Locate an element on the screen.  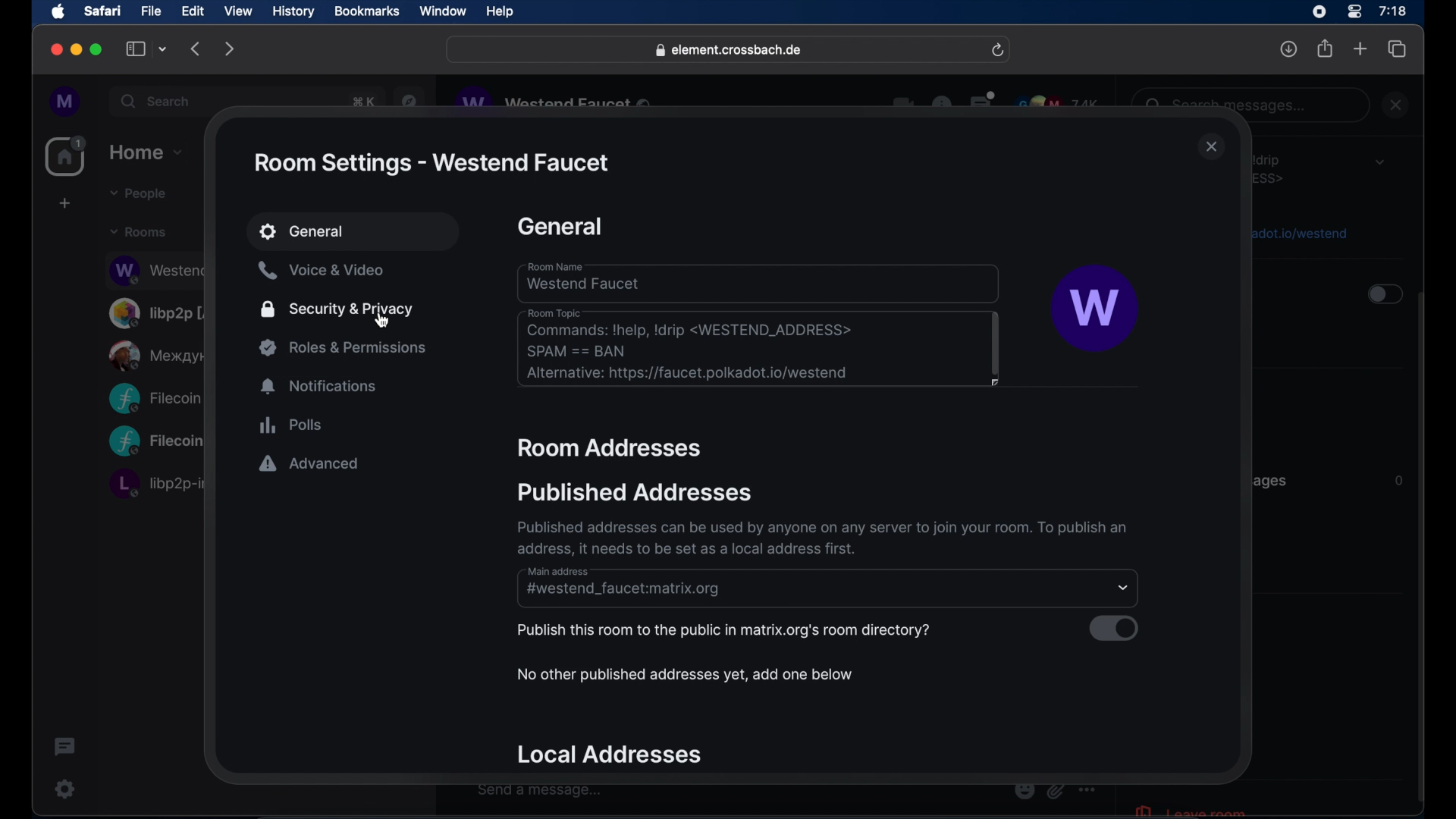
toggle button is located at coordinates (1383, 296).